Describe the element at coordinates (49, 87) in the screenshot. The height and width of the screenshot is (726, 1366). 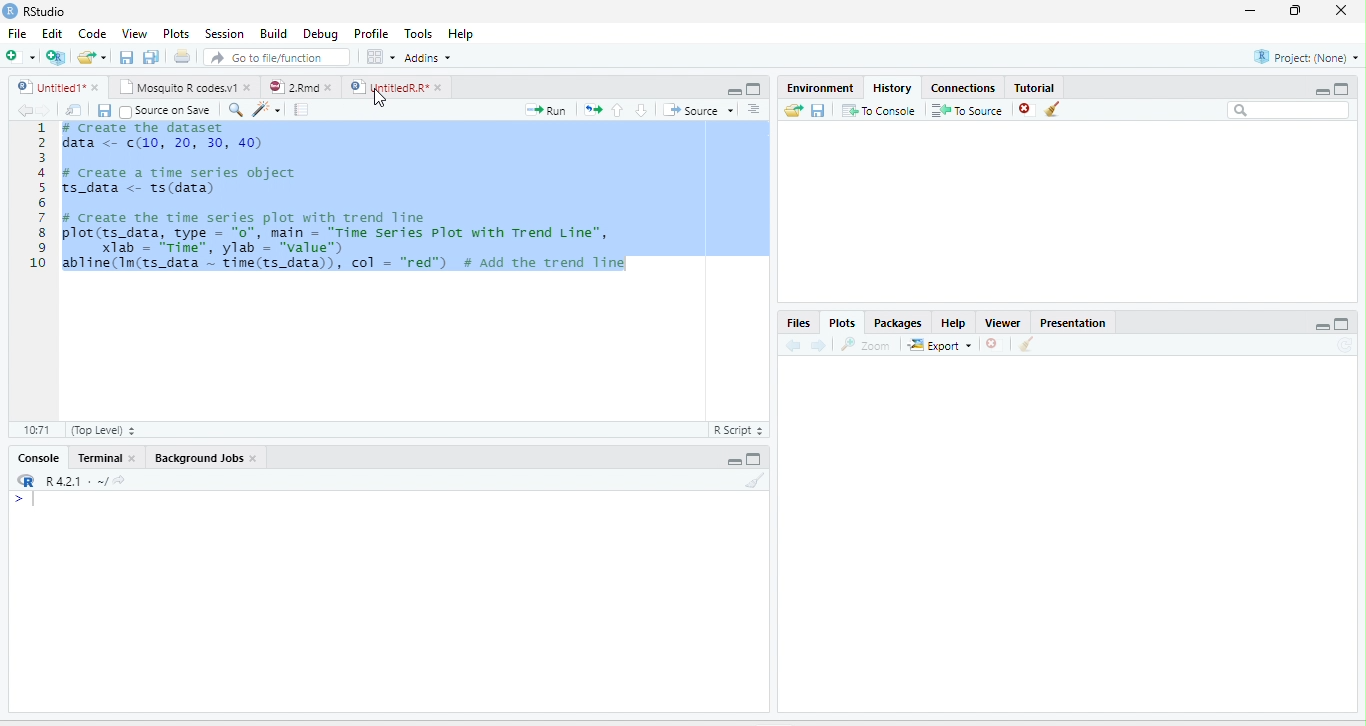
I see `Untitled1*` at that location.